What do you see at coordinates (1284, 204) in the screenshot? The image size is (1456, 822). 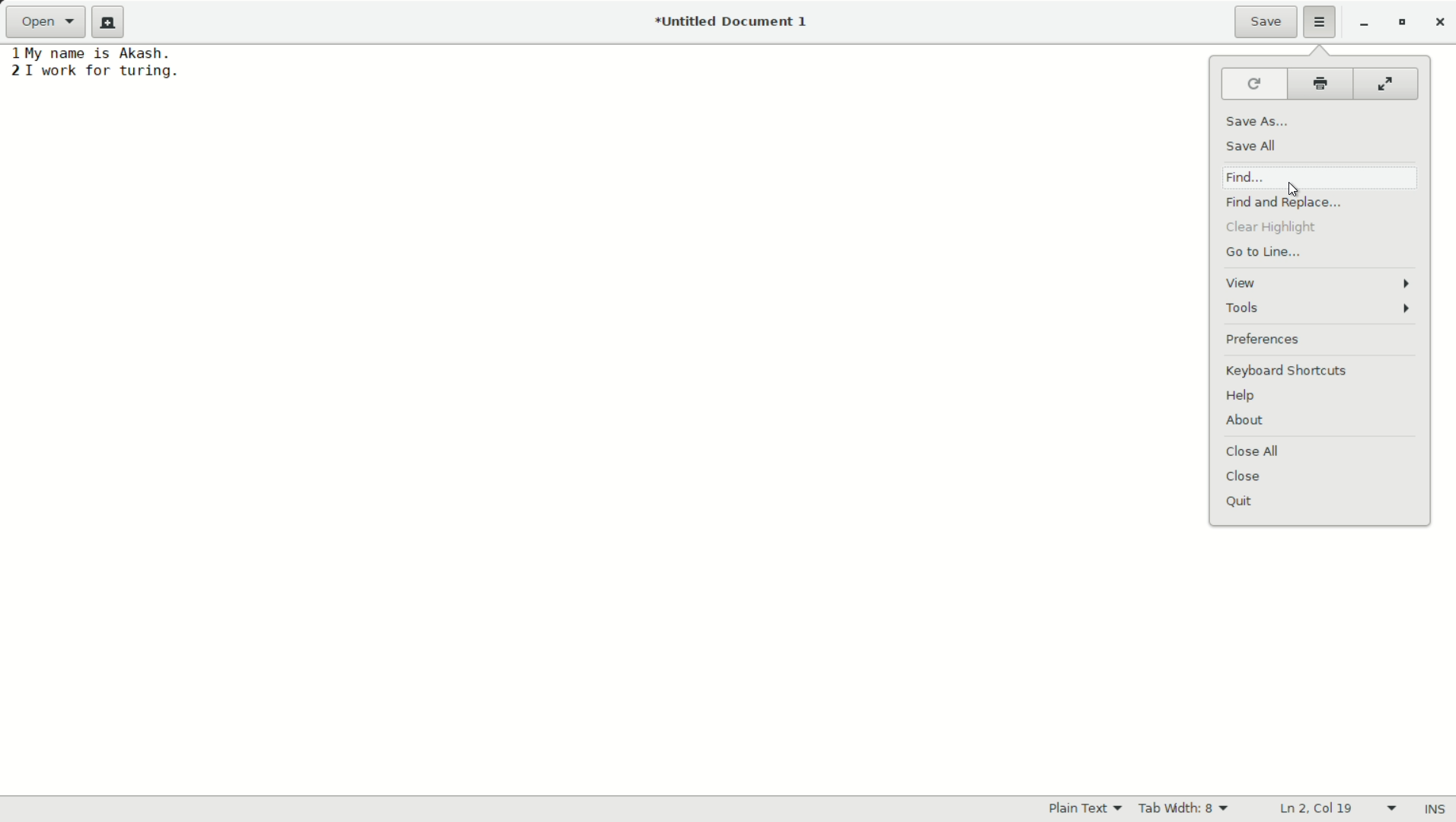 I see `find and replace` at bounding box center [1284, 204].